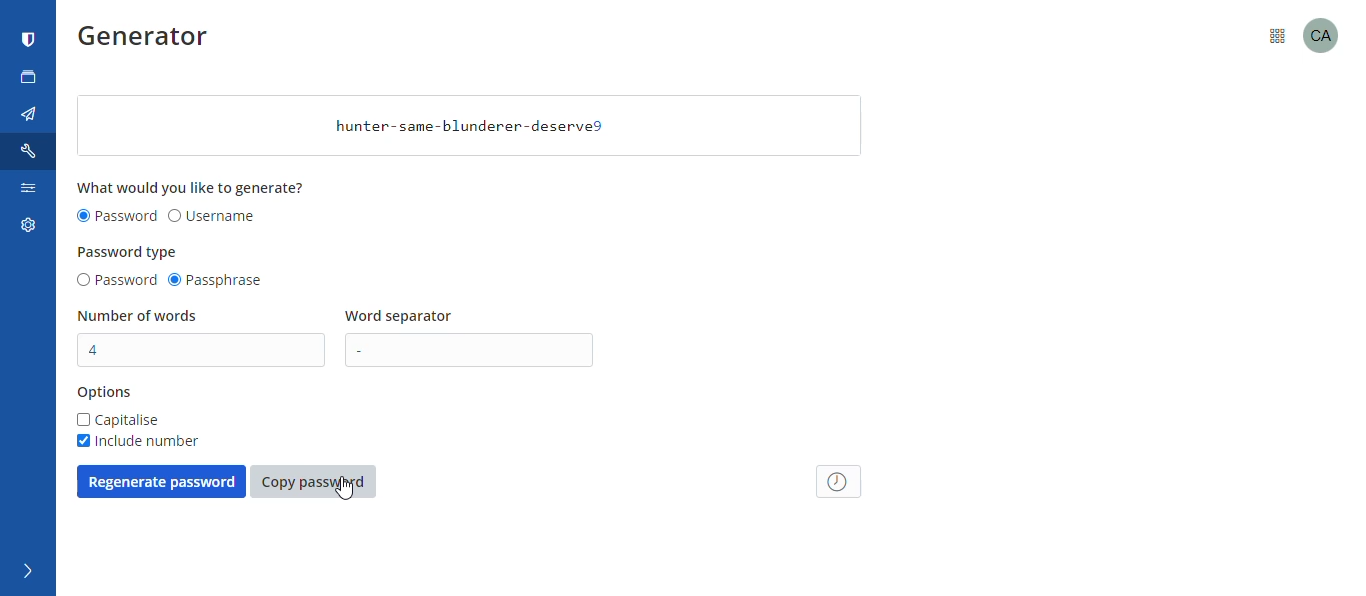 This screenshot has height=596, width=1366. What do you see at coordinates (27, 192) in the screenshot?
I see `search settings` at bounding box center [27, 192].